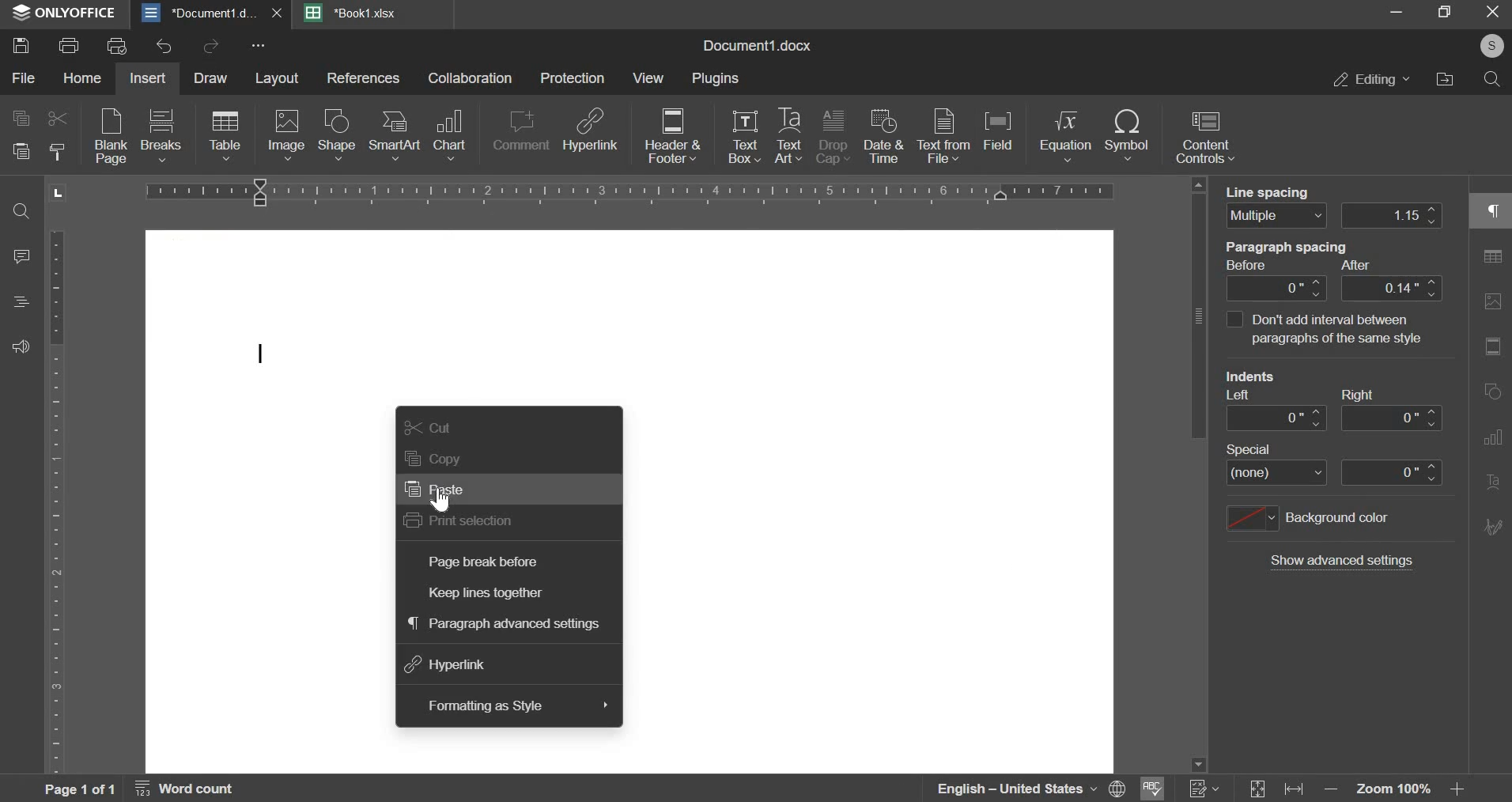 The image size is (1512, 802). I want to click on collaboration, so click(471, 79).